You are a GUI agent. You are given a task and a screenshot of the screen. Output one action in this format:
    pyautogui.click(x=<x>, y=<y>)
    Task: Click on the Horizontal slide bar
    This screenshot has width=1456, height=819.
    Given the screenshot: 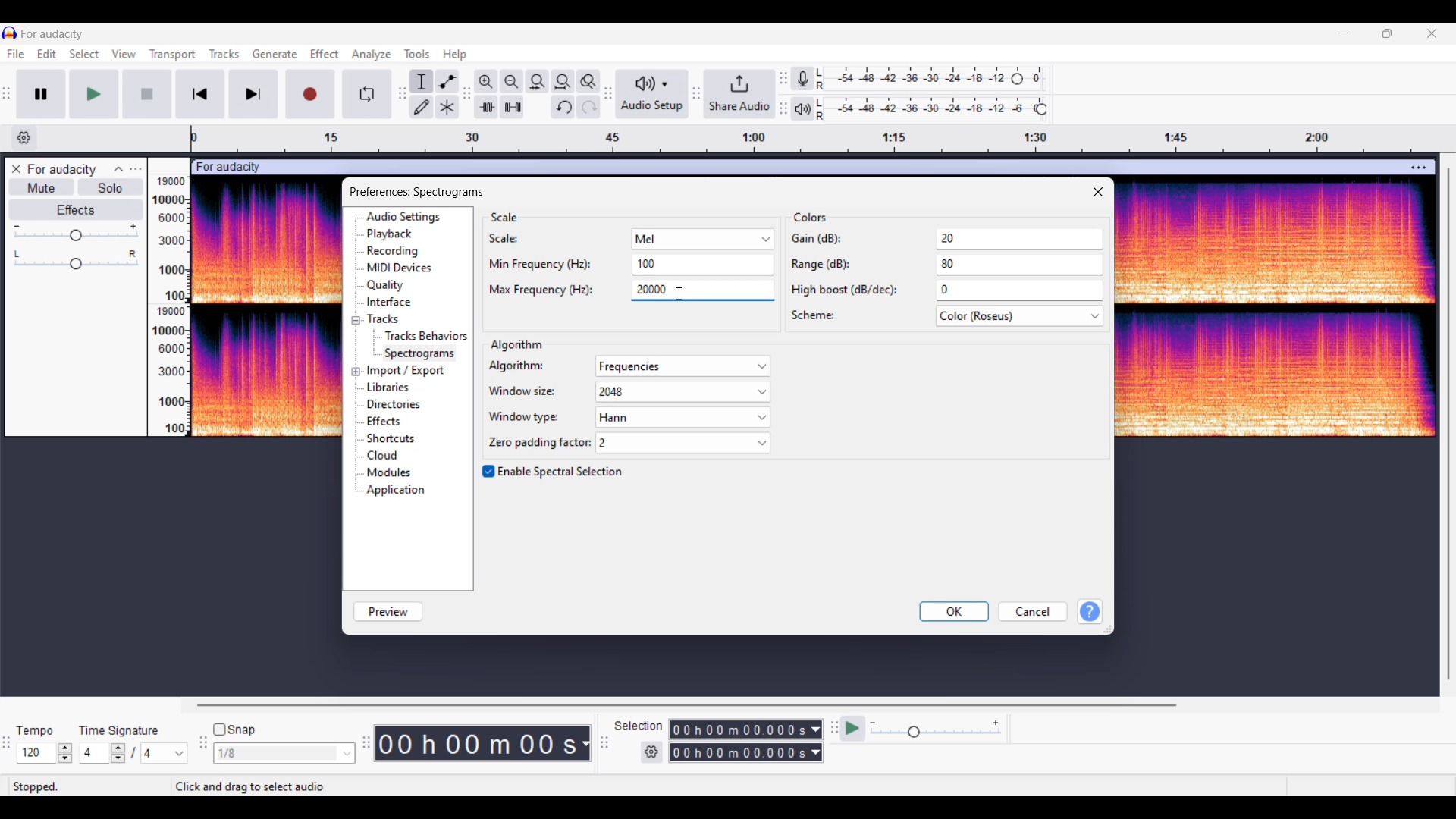 What is the action you would take?
    pyautogui.click(x=692, y=705)
    